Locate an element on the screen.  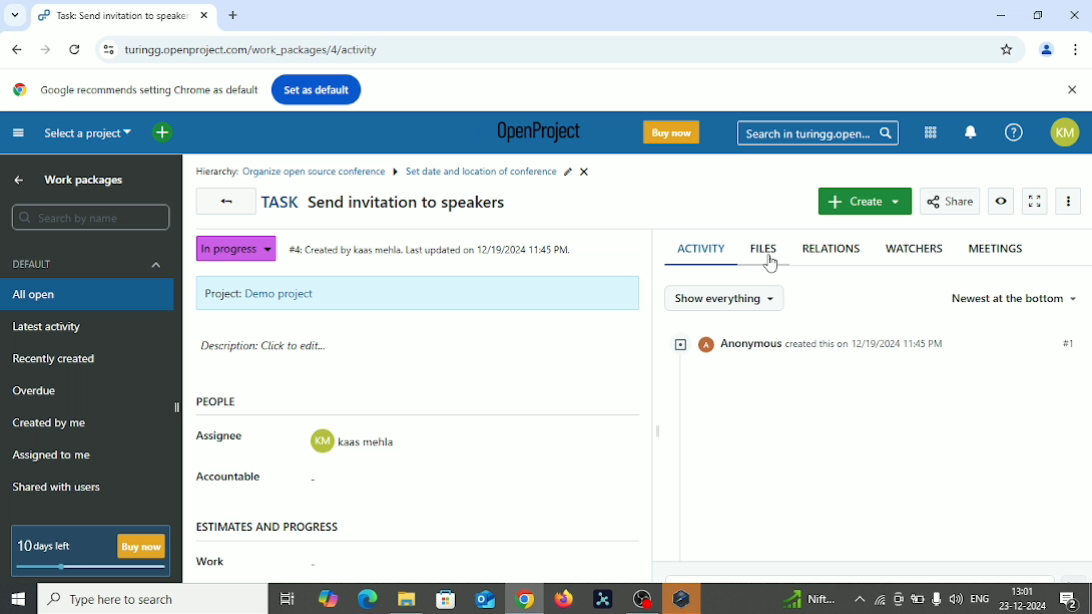
“#4 Created by kass mehla. Last updated on 12/19/2024 11:45 PM. is located at coordinates (432, 253).